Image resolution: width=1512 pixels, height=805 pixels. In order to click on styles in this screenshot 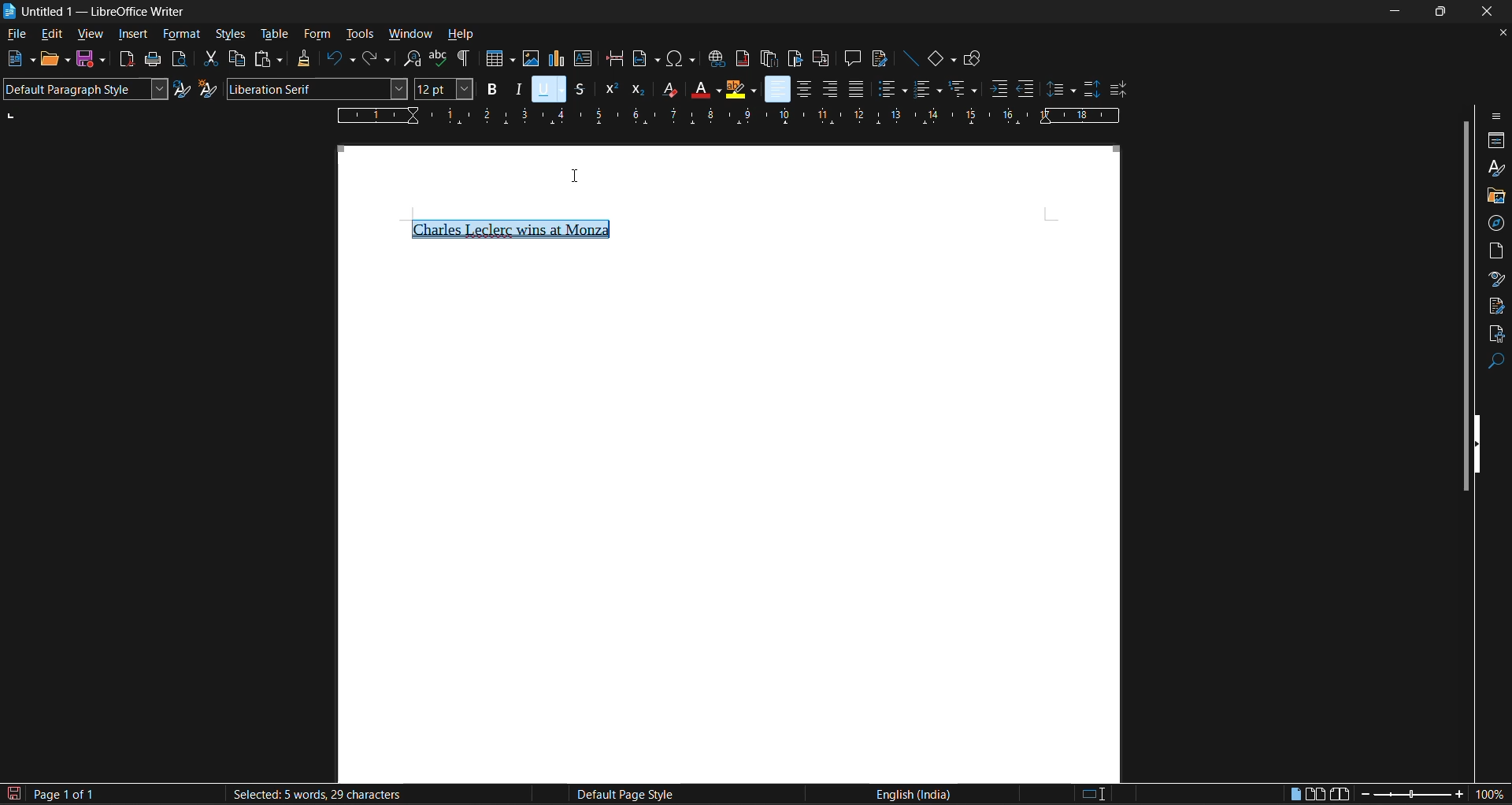, I will do `click(232, 35)`.